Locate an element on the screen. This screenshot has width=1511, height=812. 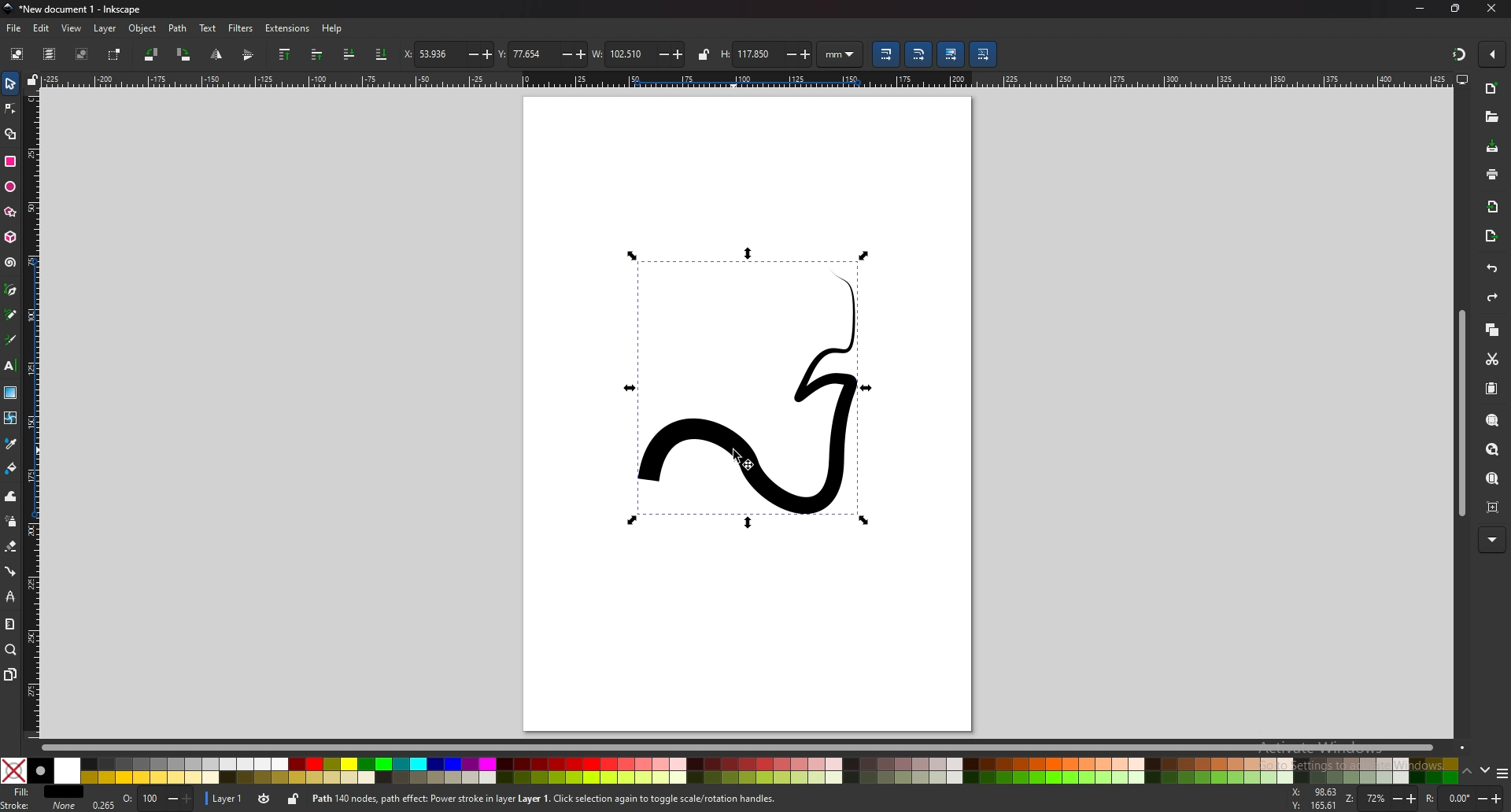
object is located at coordinates (143, 28).